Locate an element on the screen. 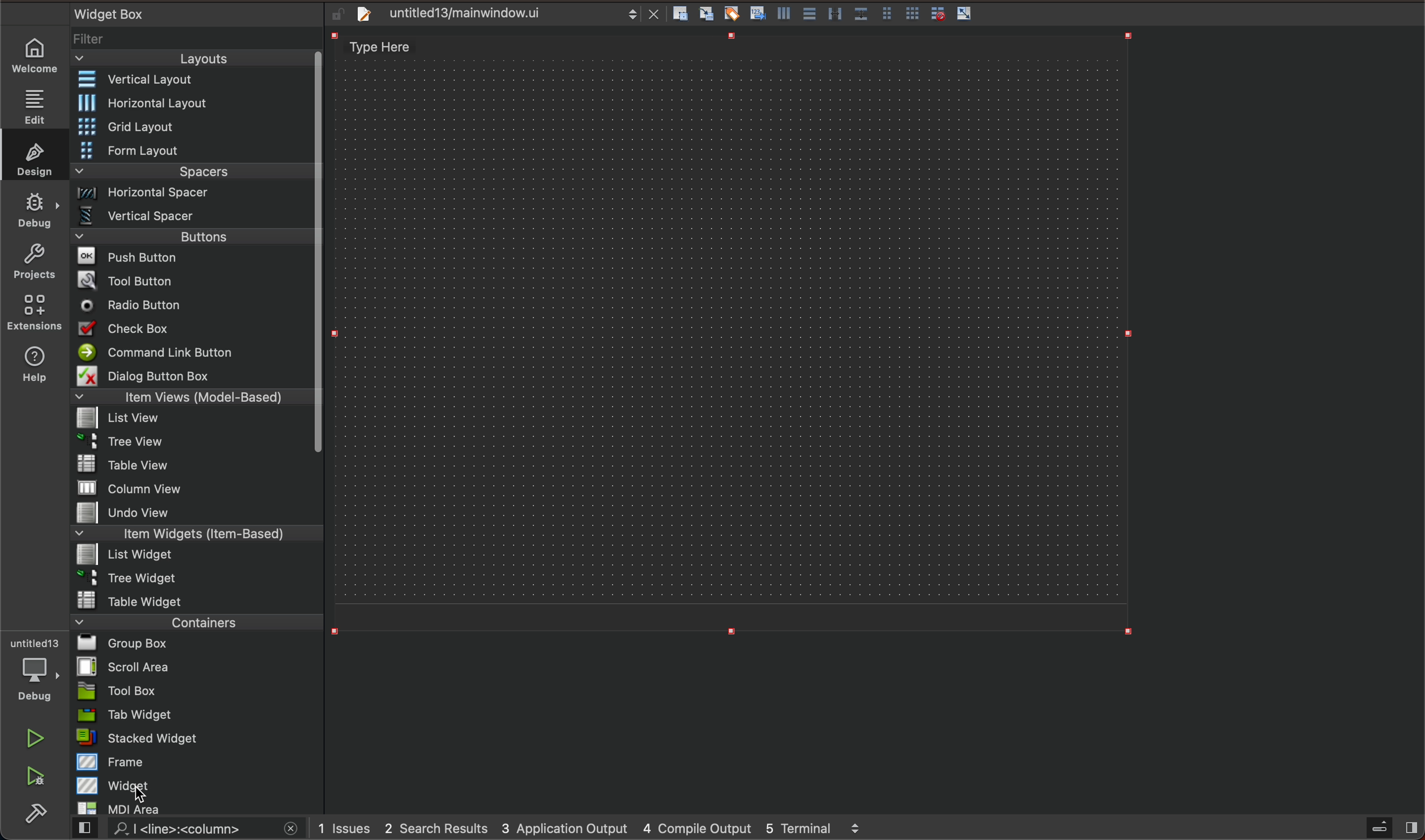  spacers is located at coordinates (192, 172).